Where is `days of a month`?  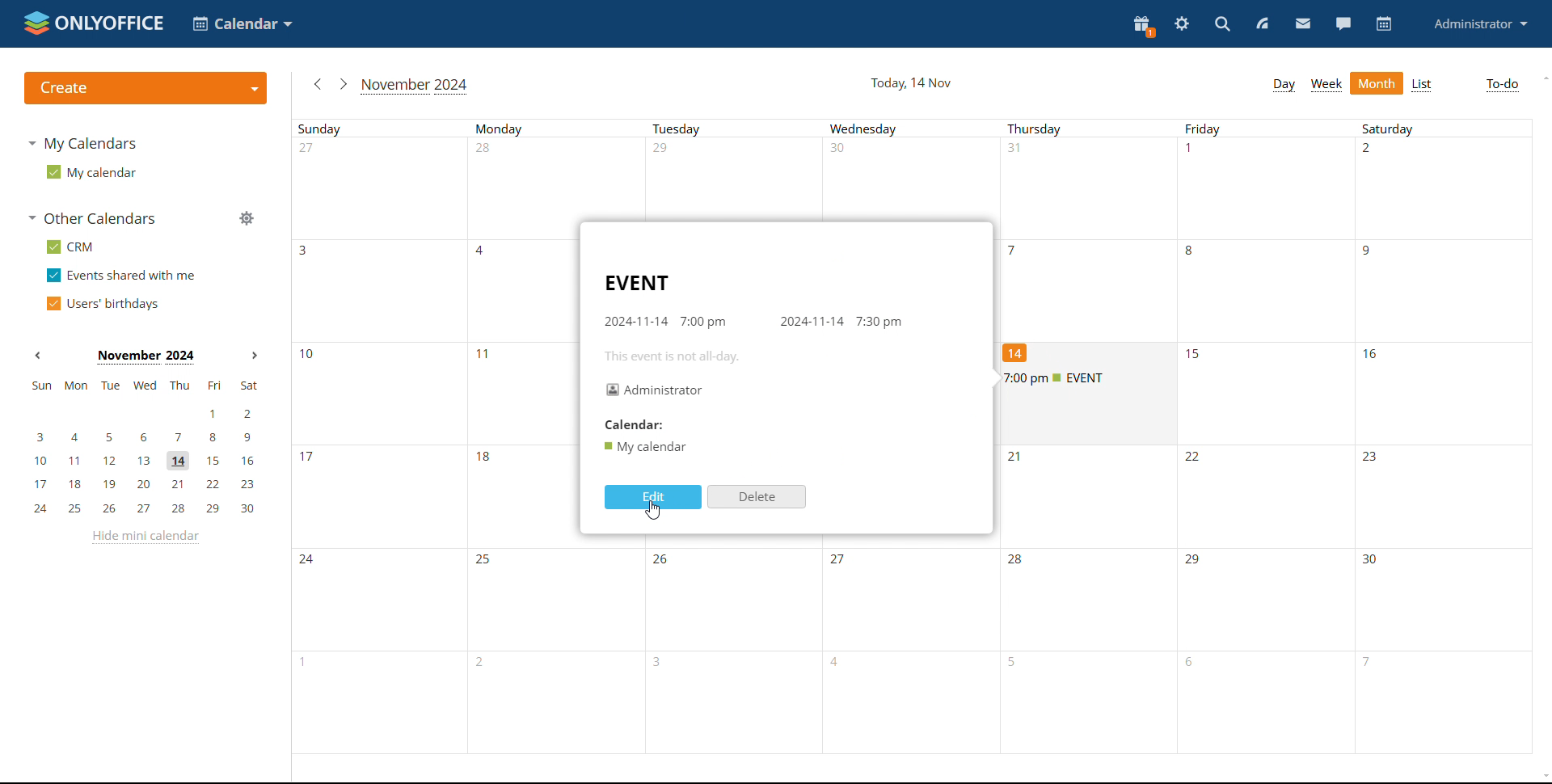
days of a month is located at coordinates (1262, 280).